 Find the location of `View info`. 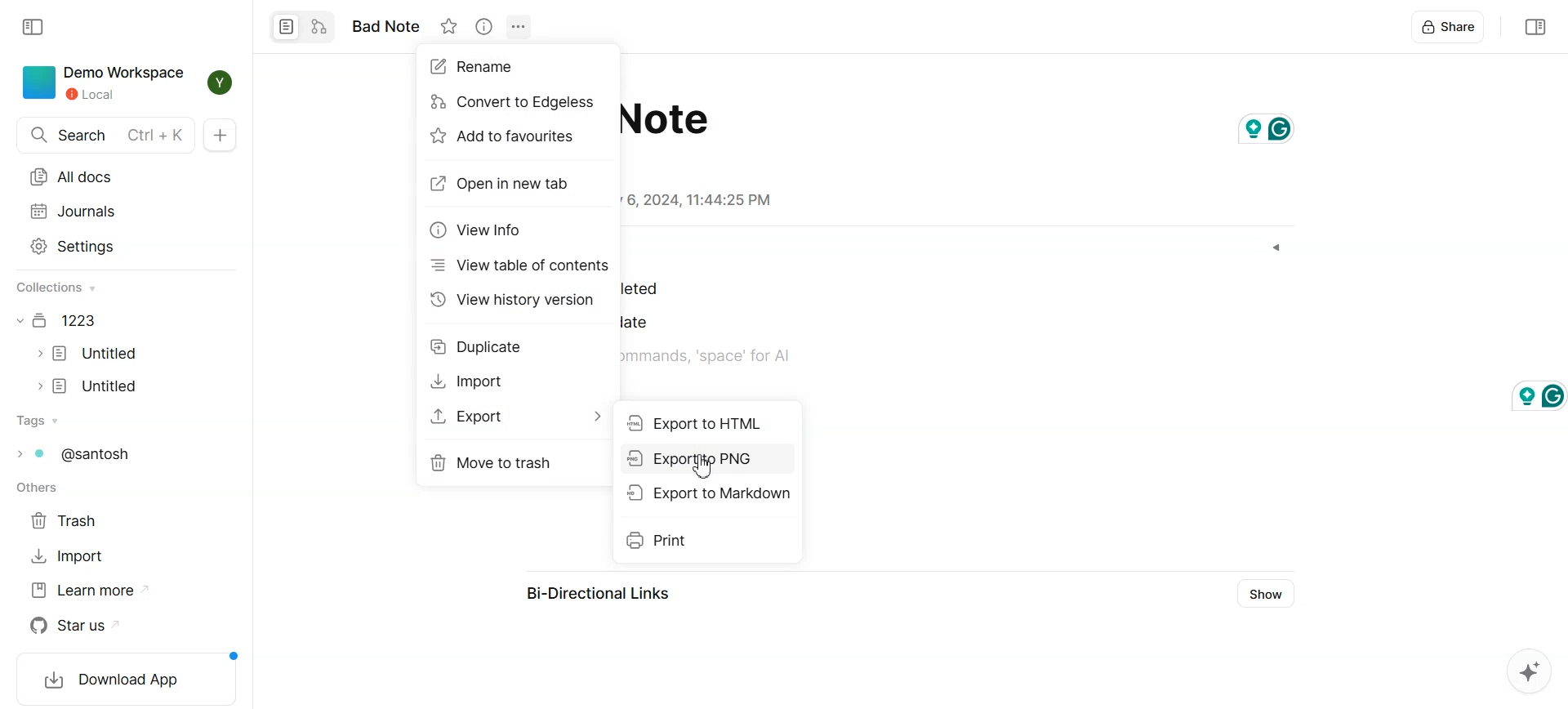

View info is located at coordinates (479, 230).